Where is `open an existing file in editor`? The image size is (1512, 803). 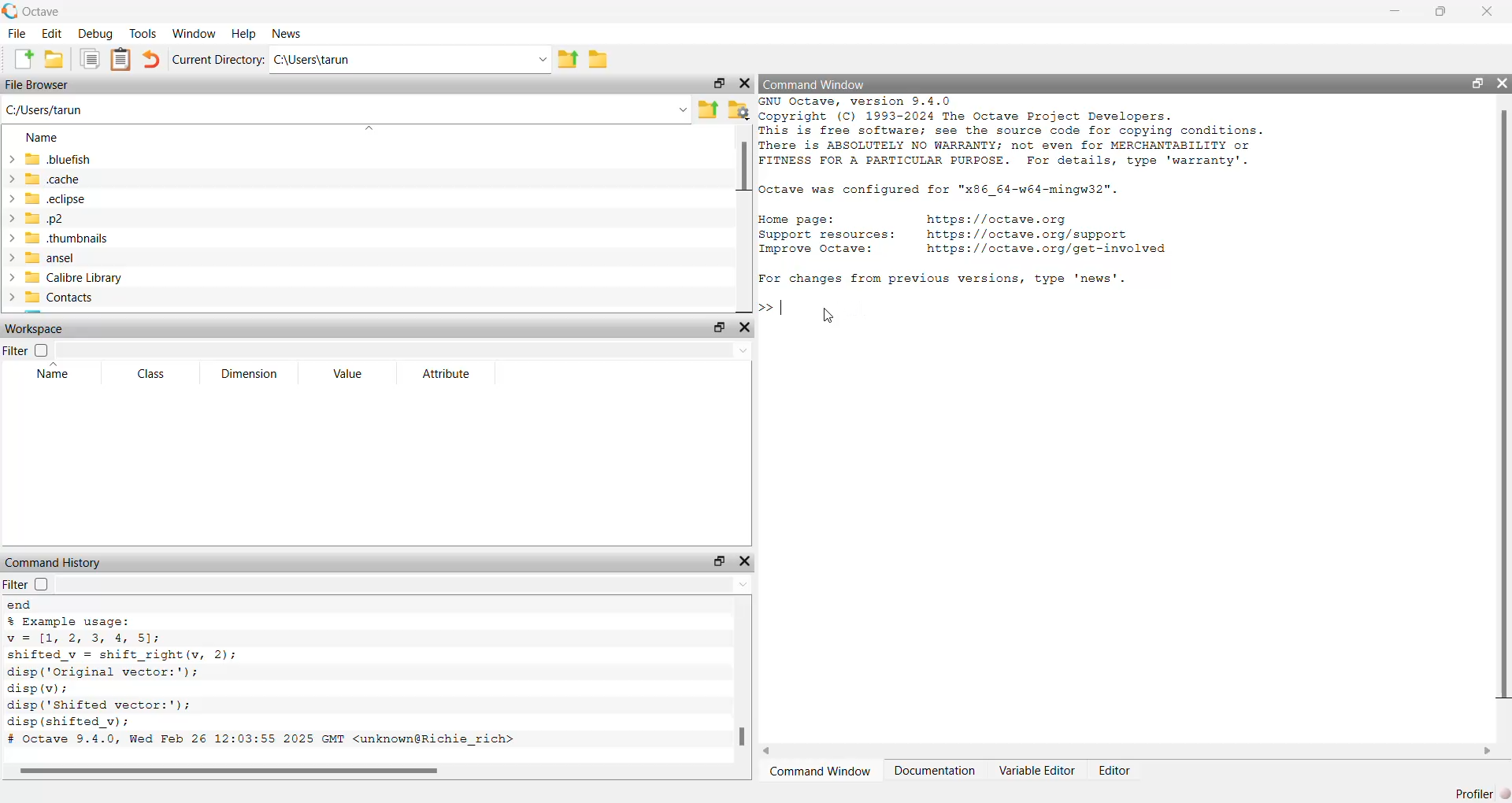
open an existing file in editor is located at coordinates (58, 61).